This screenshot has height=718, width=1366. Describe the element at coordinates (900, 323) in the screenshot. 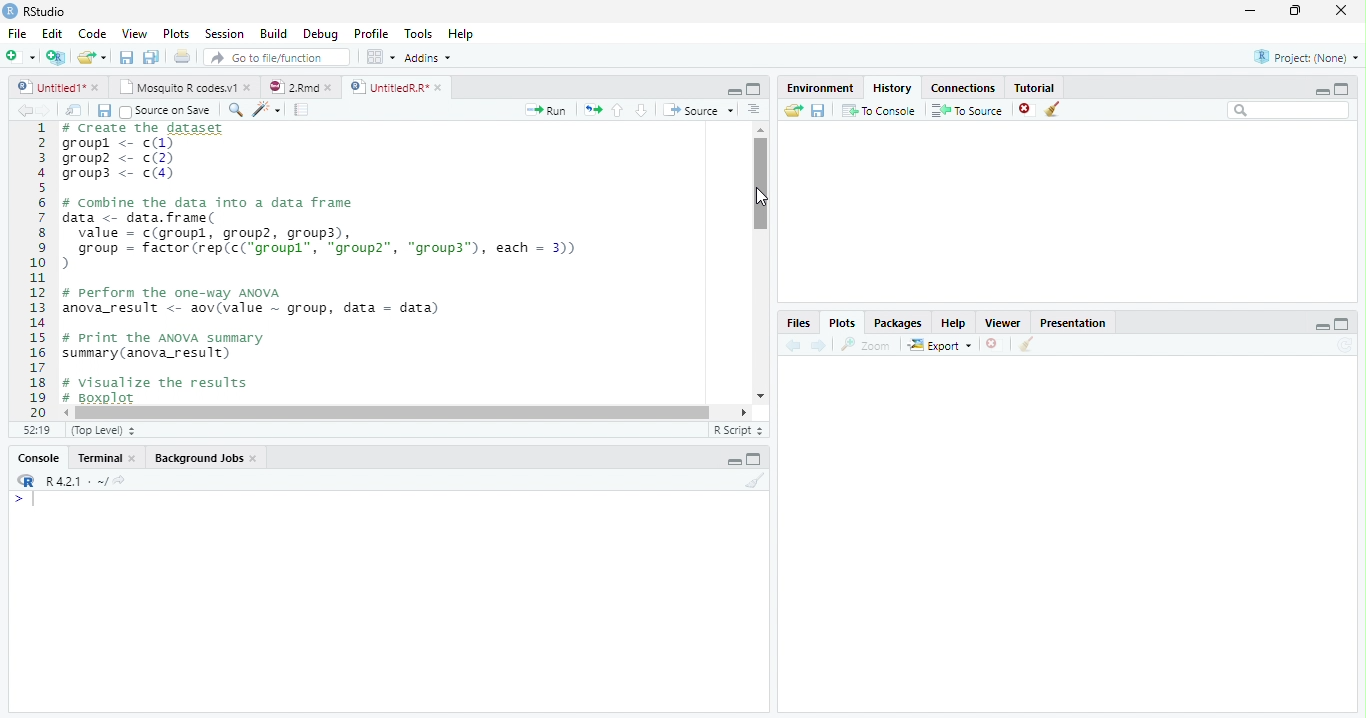

I see `Packages` at that location.